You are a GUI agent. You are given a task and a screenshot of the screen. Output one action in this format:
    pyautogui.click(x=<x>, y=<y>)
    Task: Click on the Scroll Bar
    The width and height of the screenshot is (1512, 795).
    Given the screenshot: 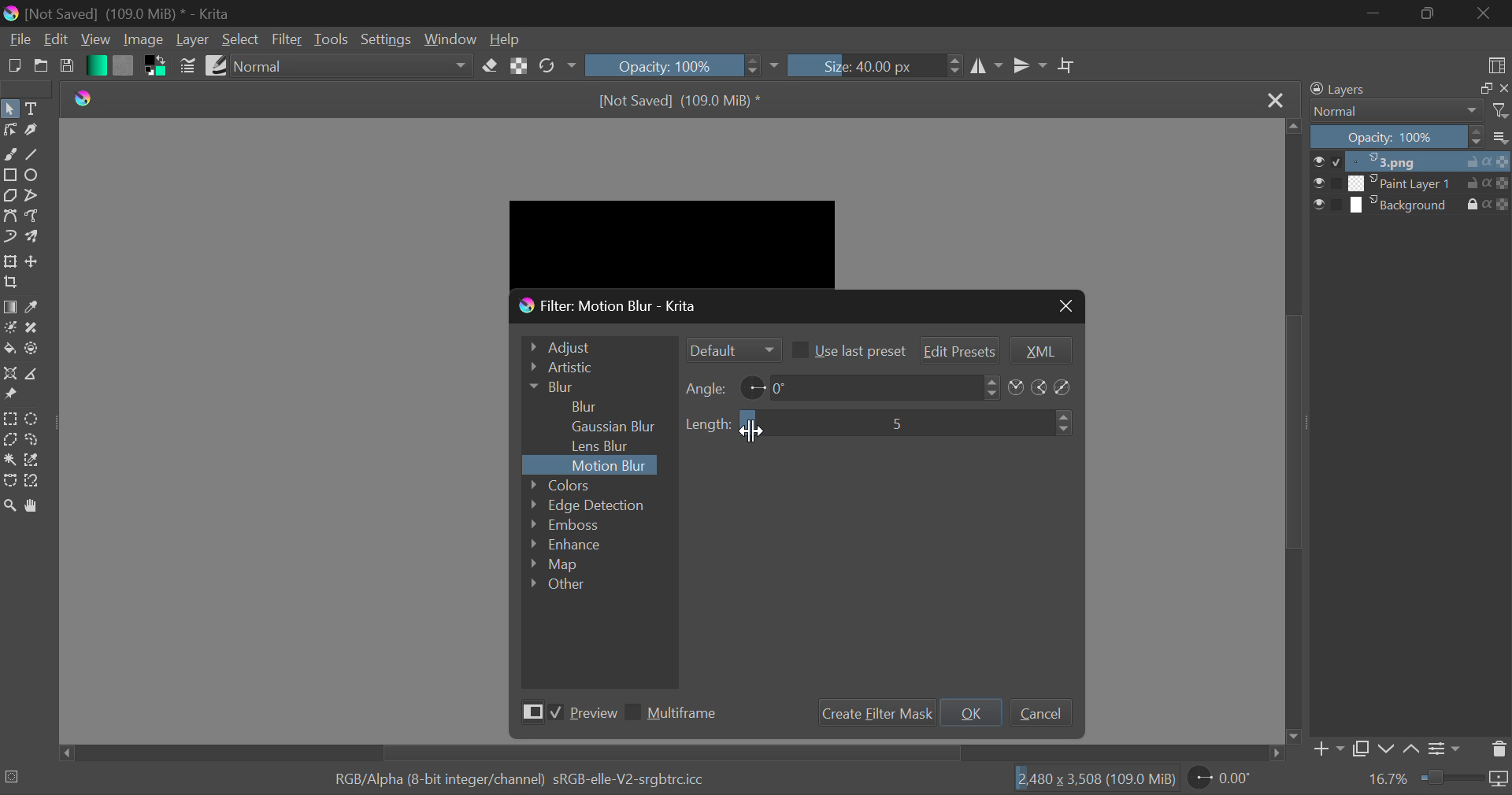 What is the action you would take?
    pyautogui.click(x=672, y=753)
    